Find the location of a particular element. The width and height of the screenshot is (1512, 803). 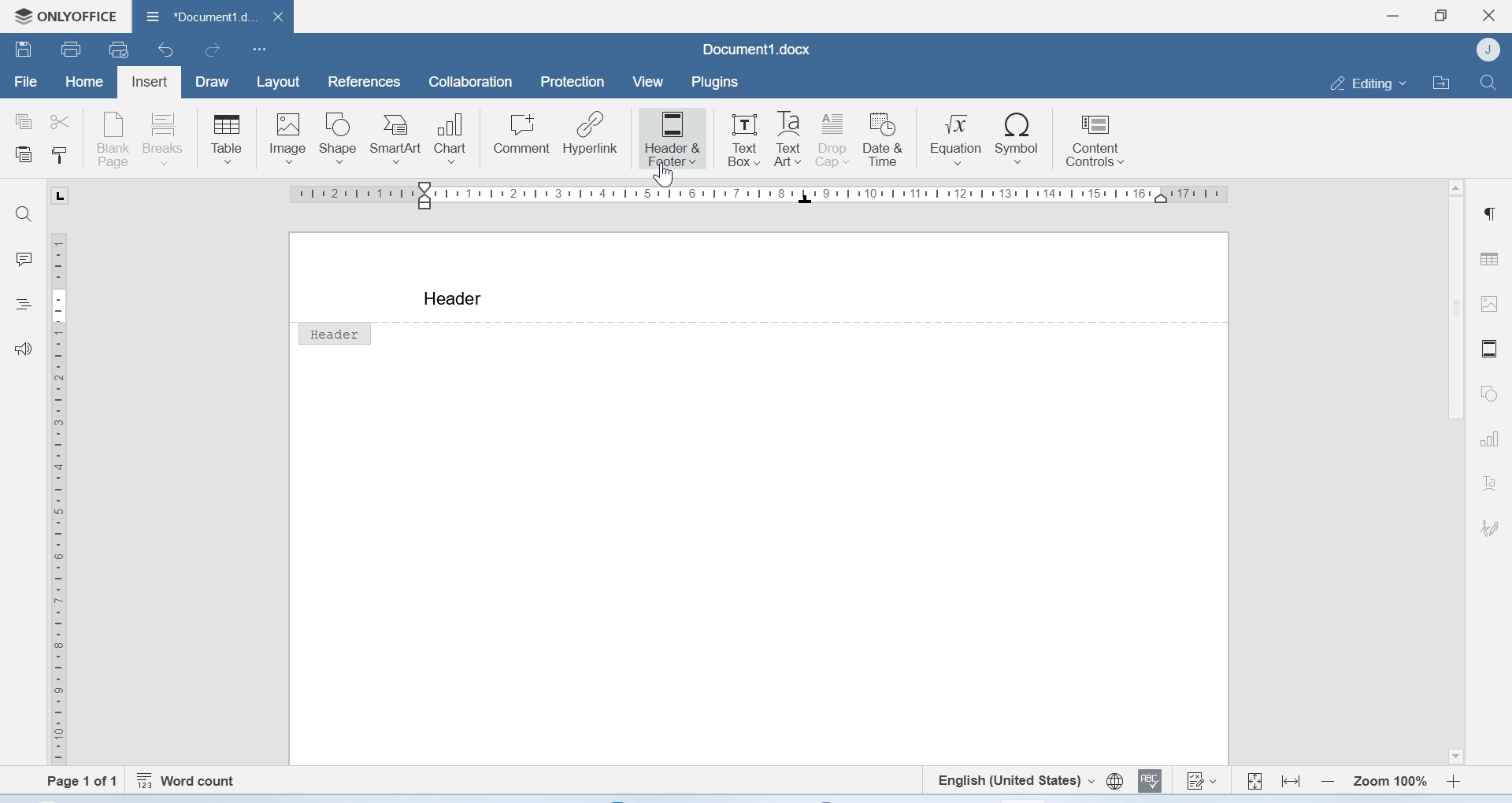

Headings is located at coordinates (26, 303).